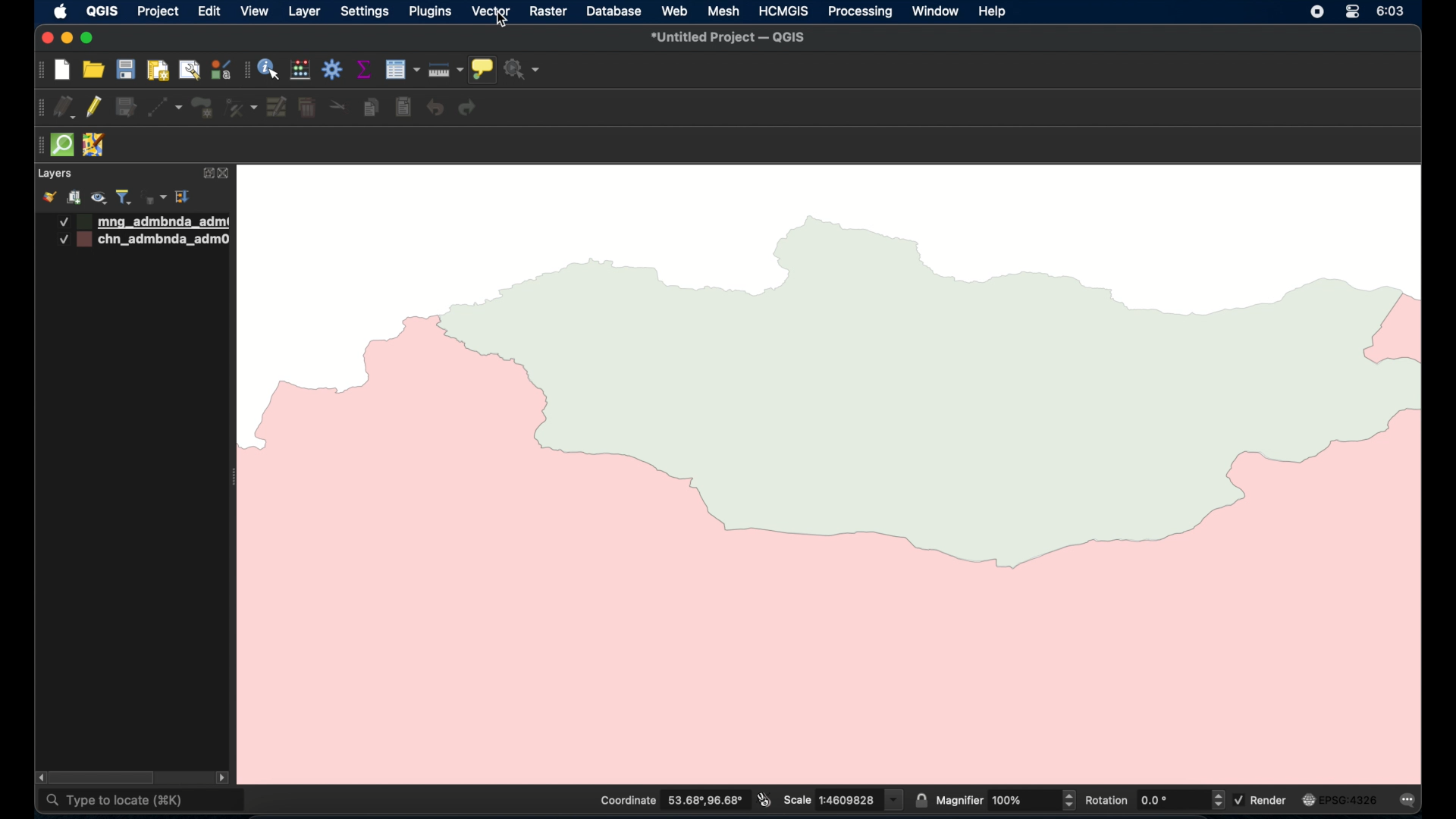 The image size is (1456, 819). I want to click on minimize, so click(67, 39).